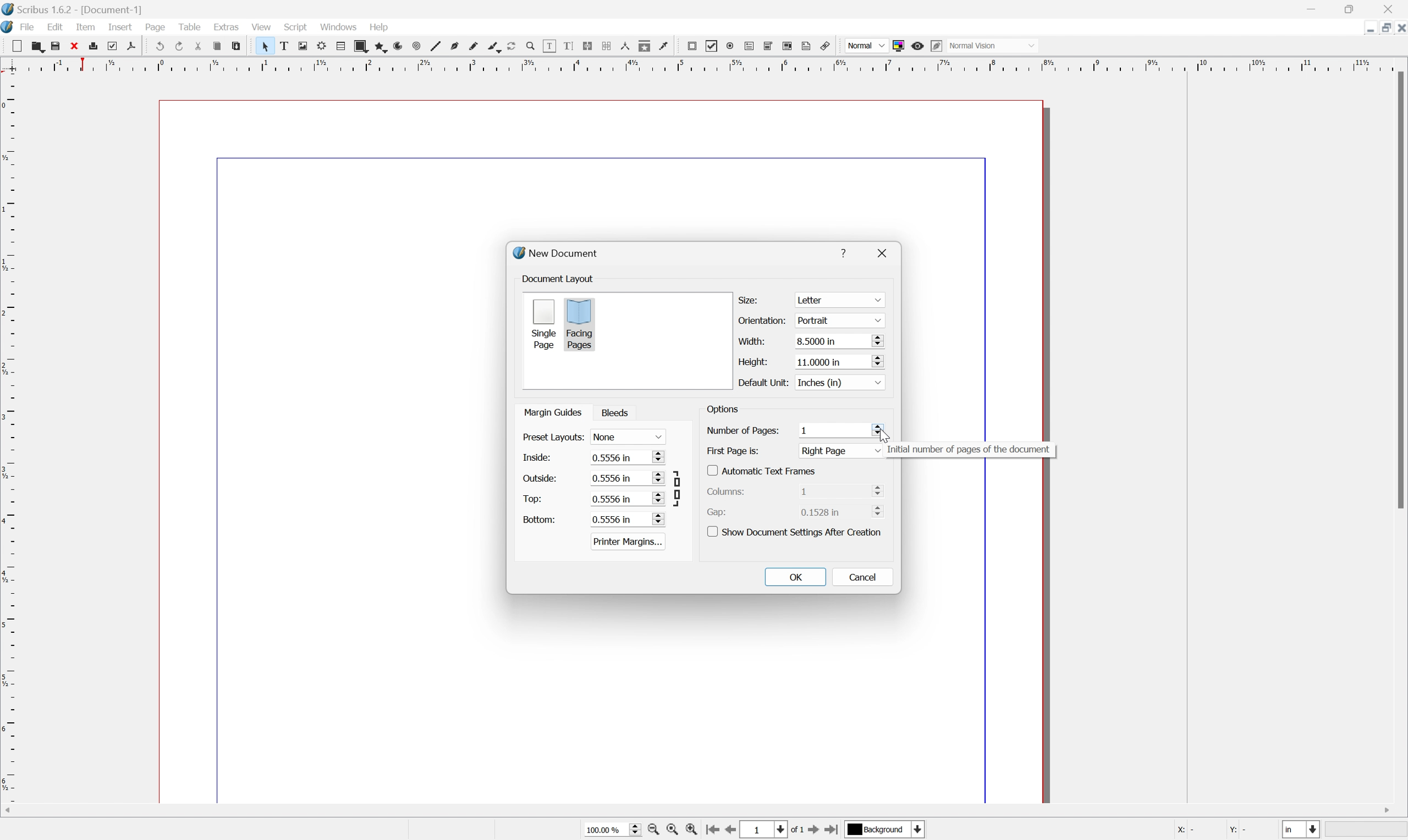  What do you see at coordinates (764, 321) in the screenshot?
I see `orientation:` at bounding box center [764, 321].